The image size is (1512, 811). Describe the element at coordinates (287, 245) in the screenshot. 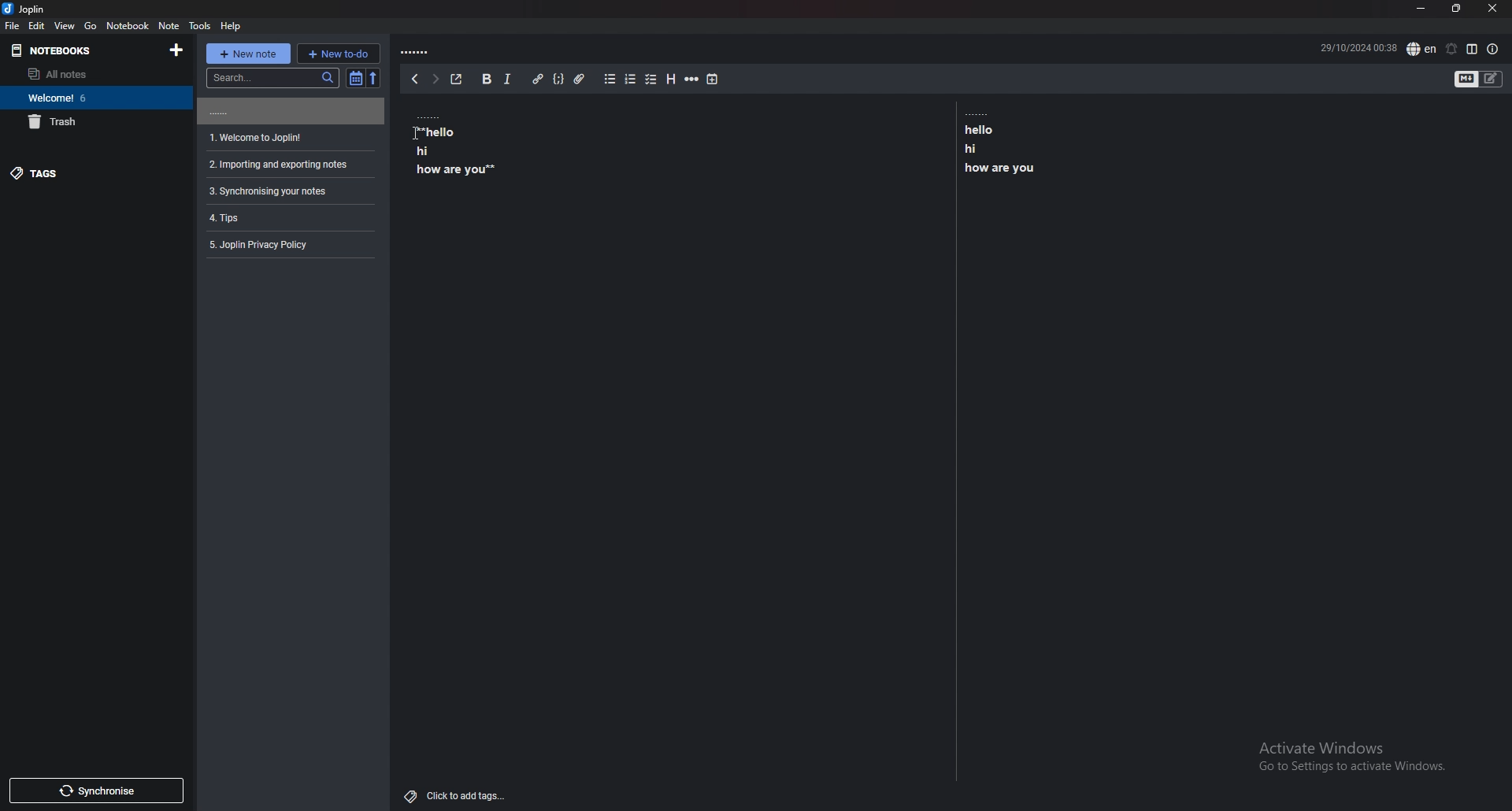

I see `note` at that location.